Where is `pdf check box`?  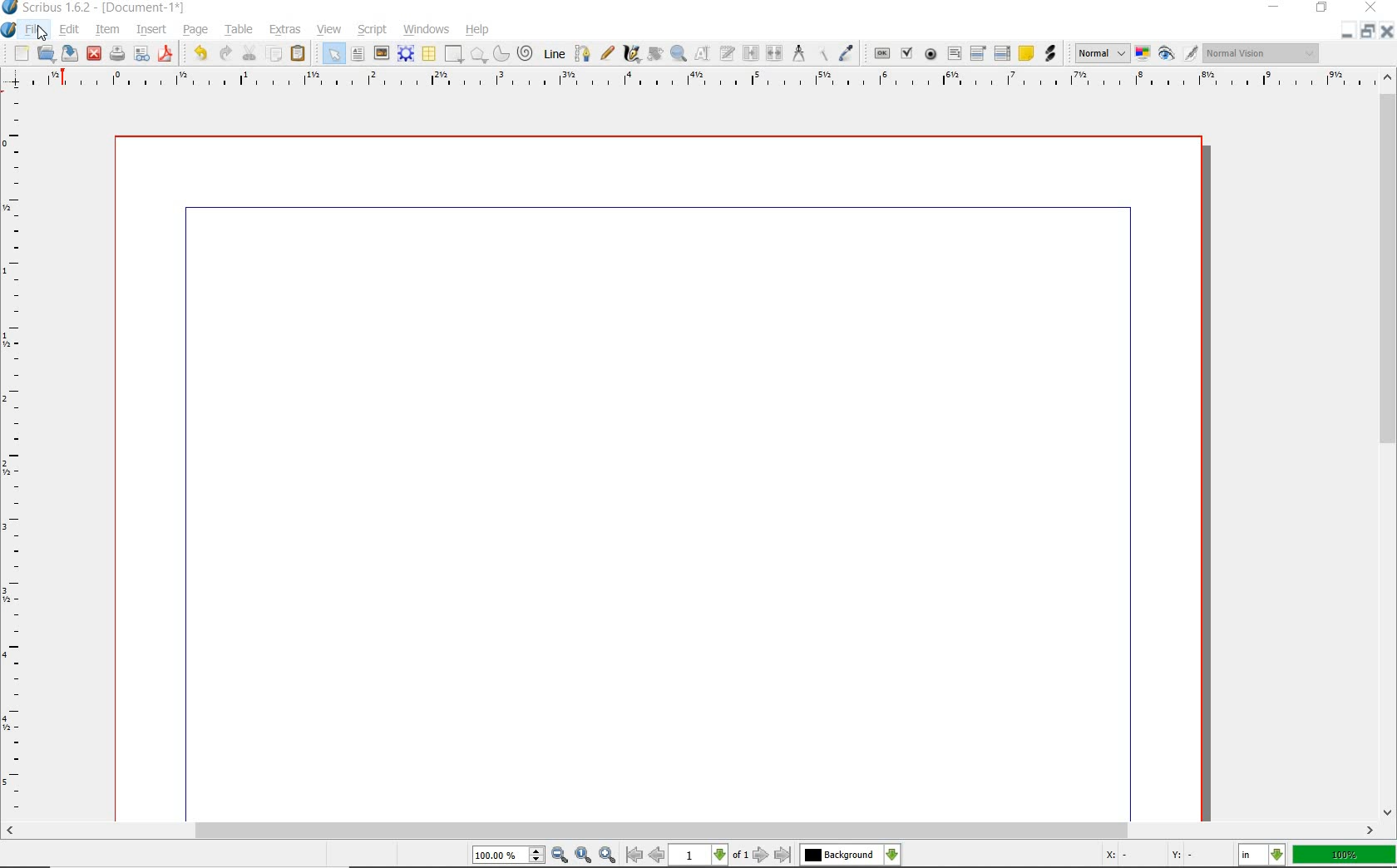
pdf check box is located at coordinates (906, 53).